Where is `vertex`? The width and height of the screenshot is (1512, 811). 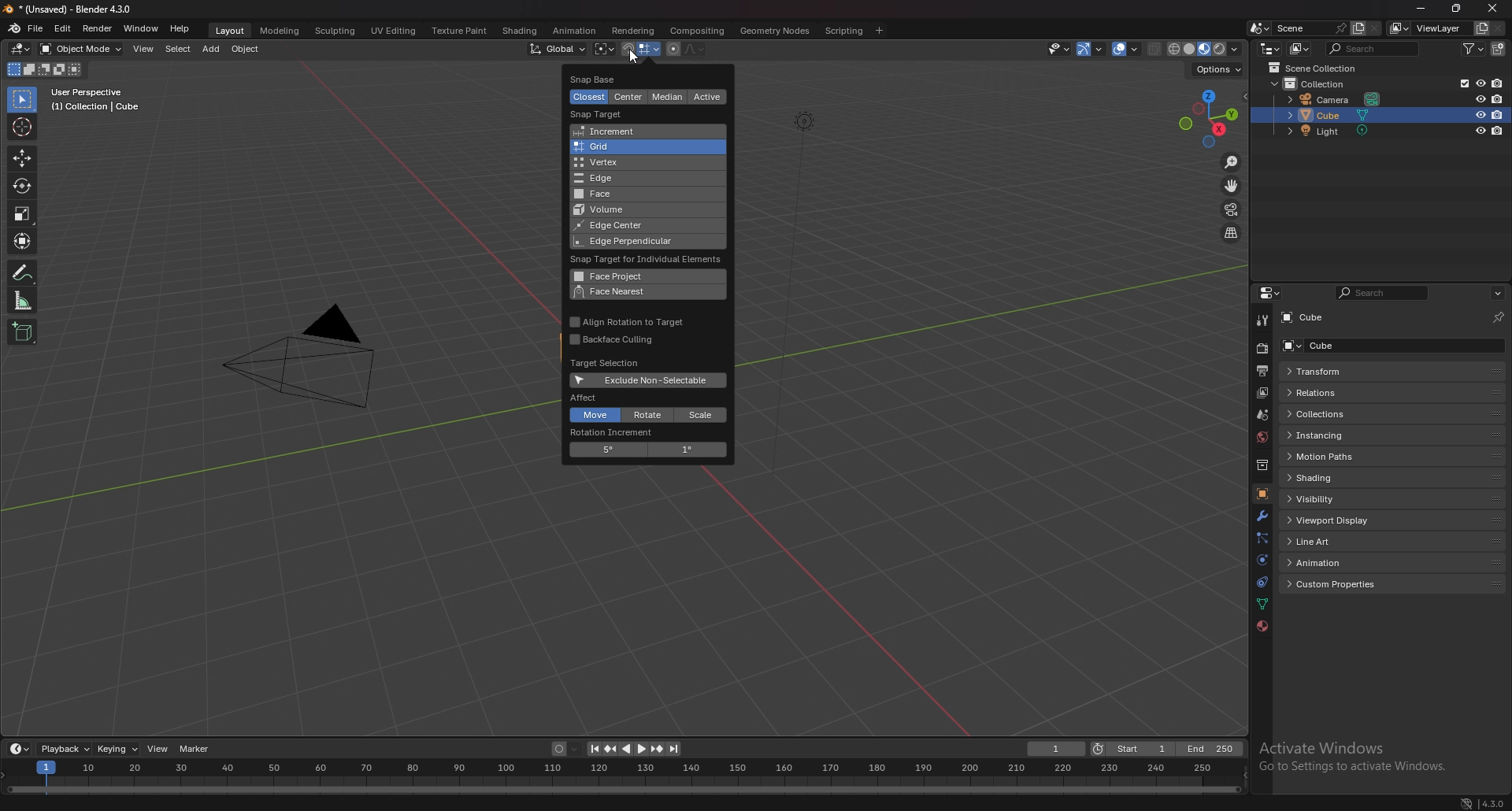 vertex is located at coordinates (637, 161).